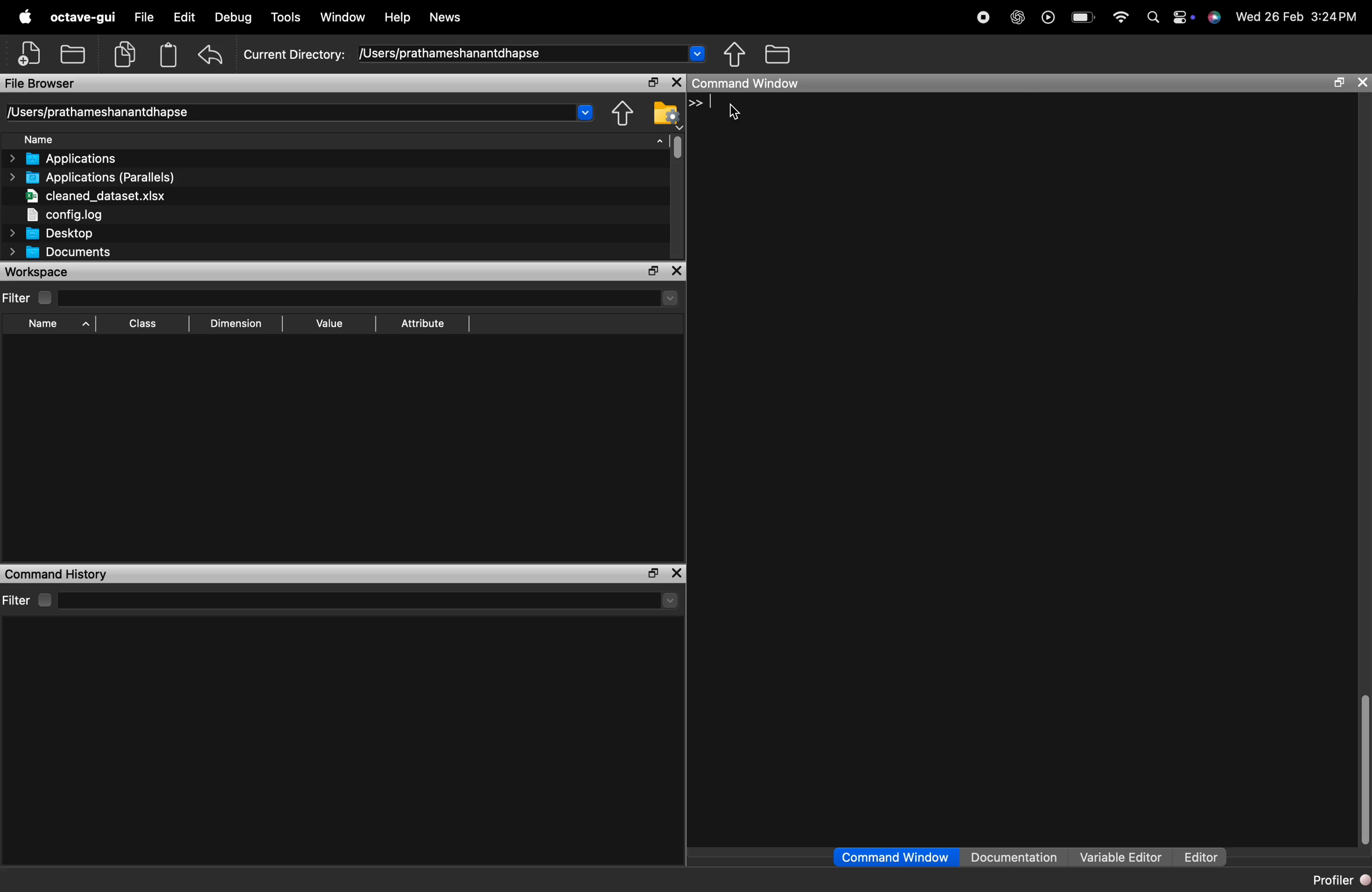 This screenshot has width=1372, height=892. What do you see at coordinates (49, 324) in the screenshot?
I see `Name ~` at bounding box center [49, 324].